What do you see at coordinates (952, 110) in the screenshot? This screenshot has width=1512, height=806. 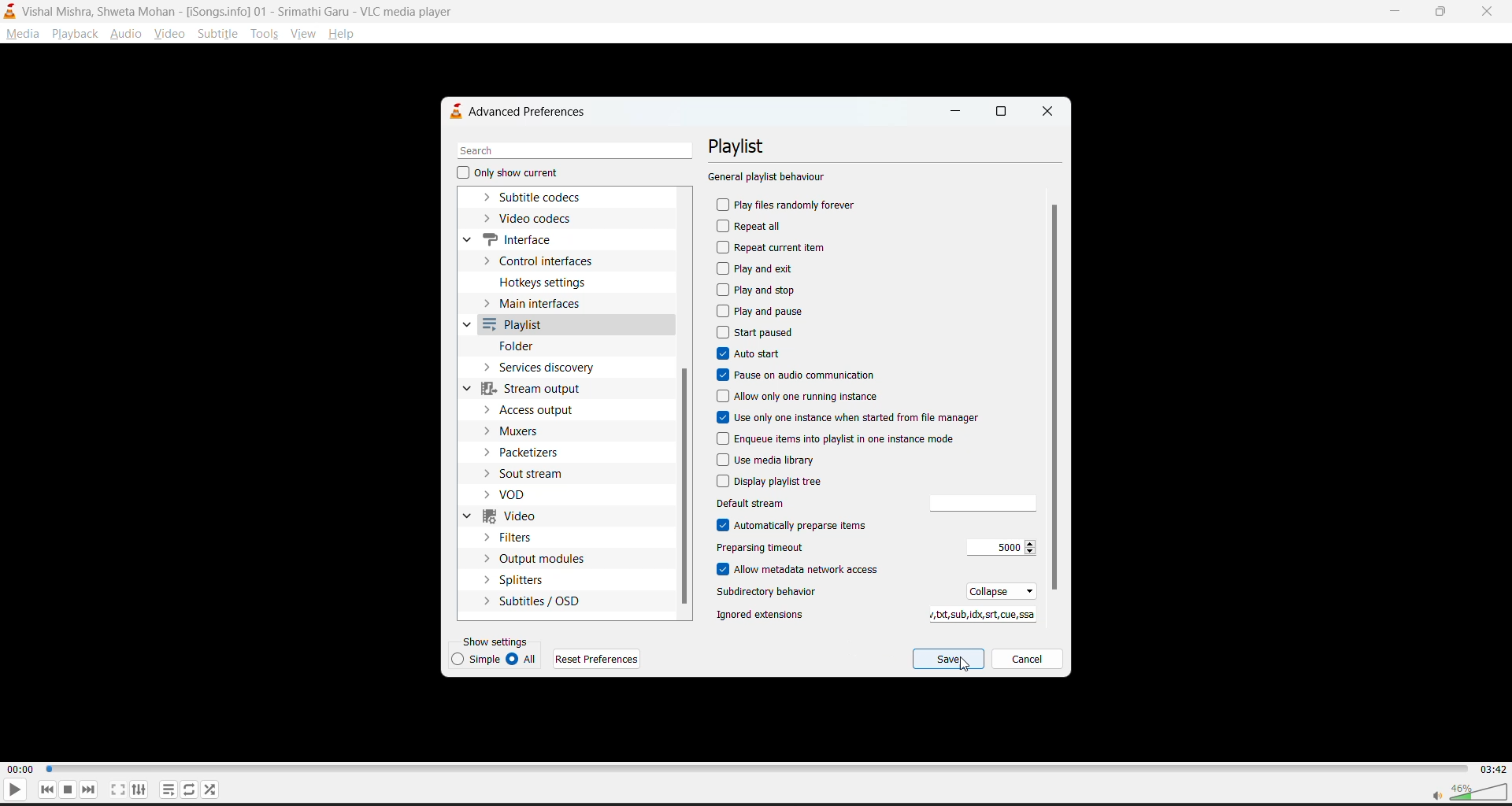 I see `minimize` at bounding box center [952, 110].